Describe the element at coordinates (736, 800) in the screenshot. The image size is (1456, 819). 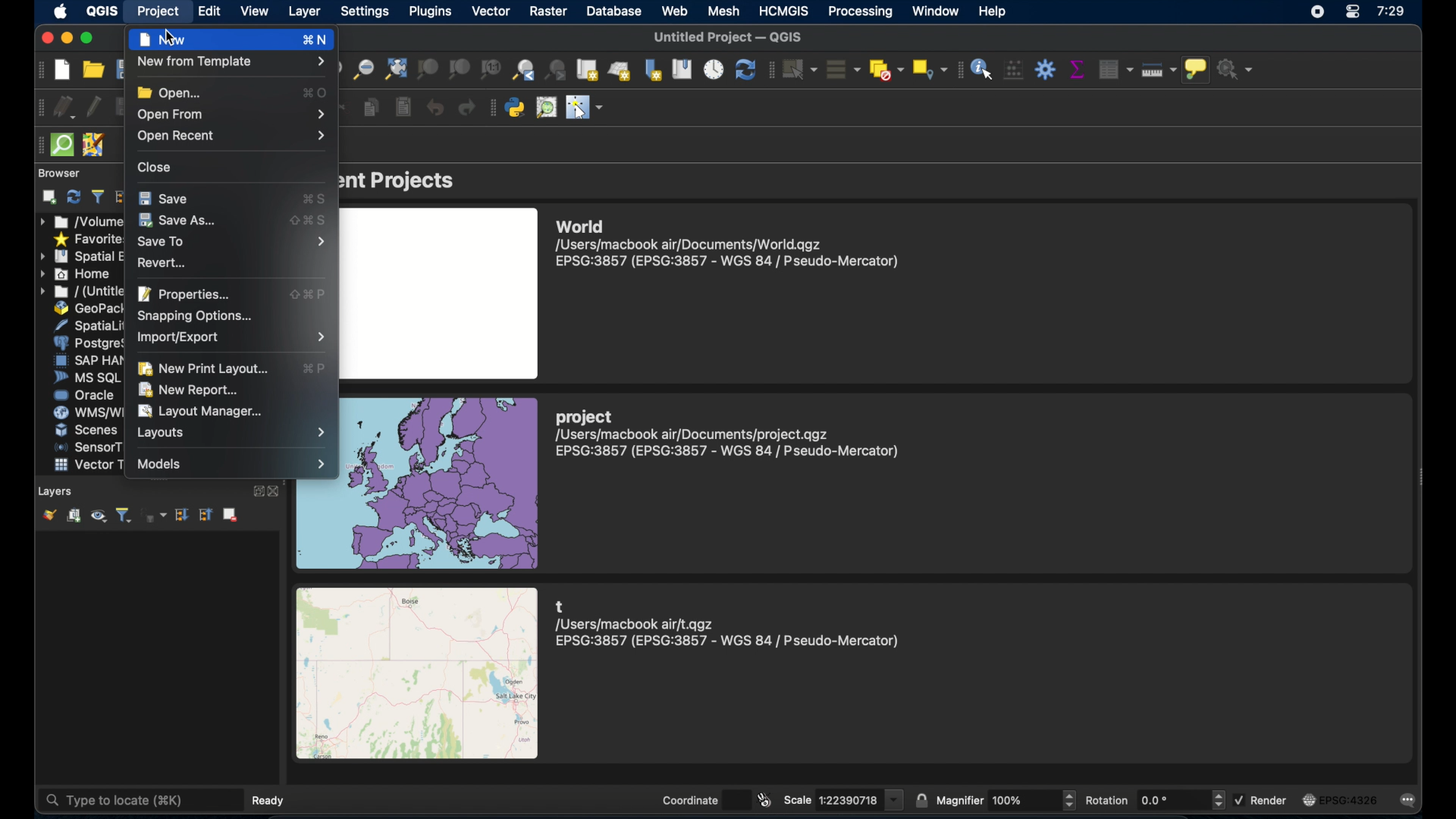
I see `coordinate value` at that location.